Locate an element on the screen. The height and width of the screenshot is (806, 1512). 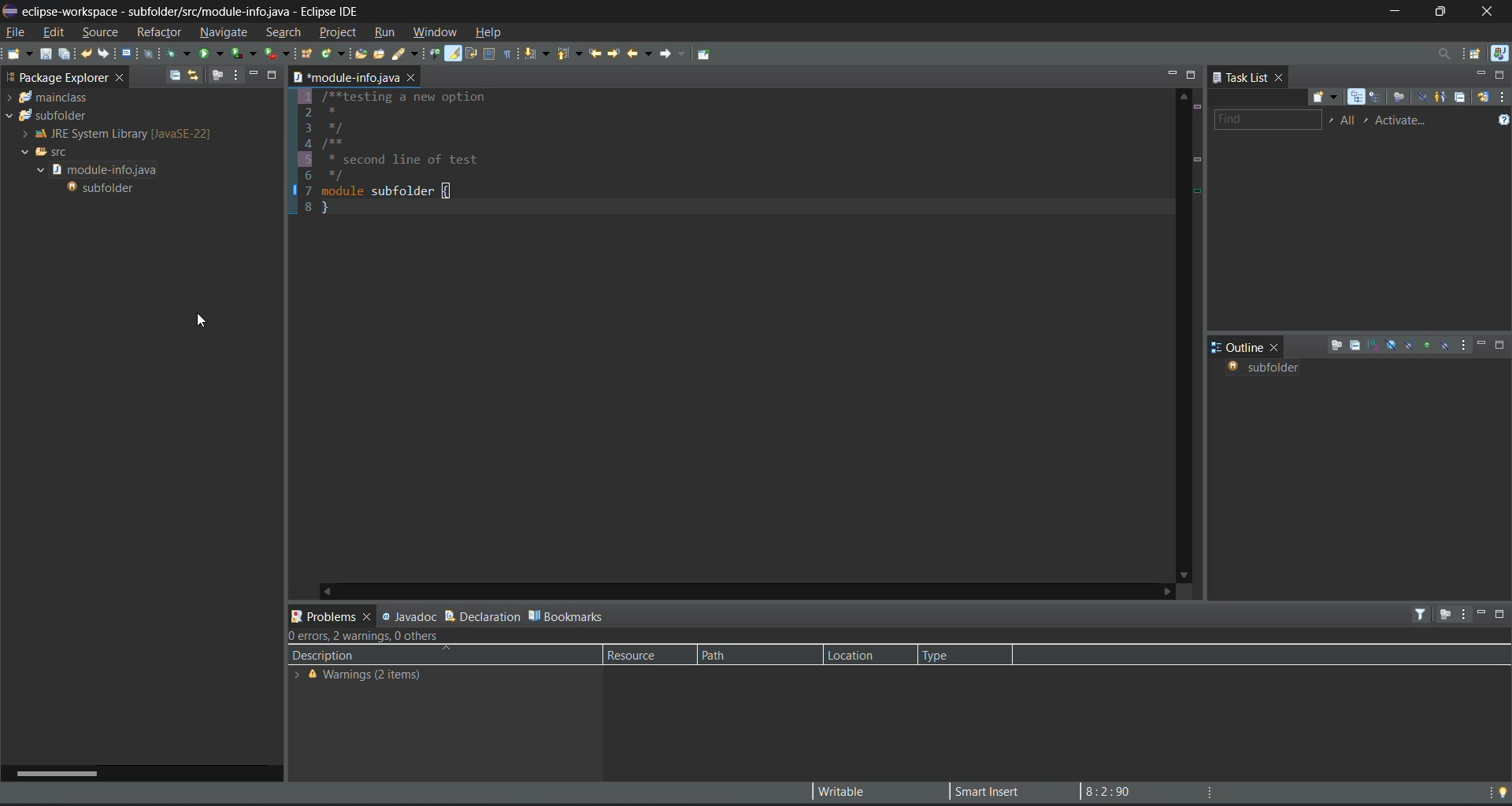
undo is located at coordinates (88, 54).